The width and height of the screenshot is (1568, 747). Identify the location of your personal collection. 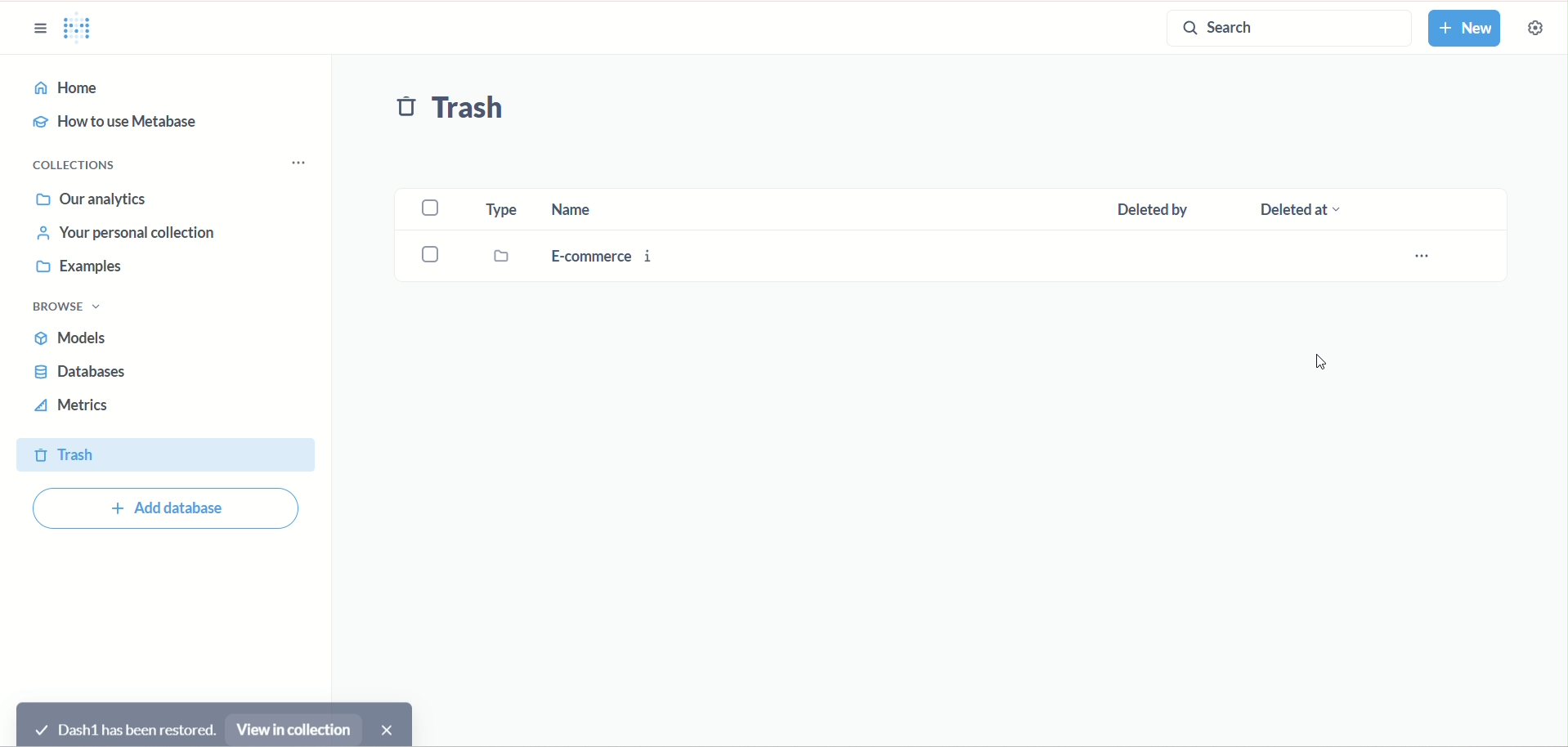
(120, 233).